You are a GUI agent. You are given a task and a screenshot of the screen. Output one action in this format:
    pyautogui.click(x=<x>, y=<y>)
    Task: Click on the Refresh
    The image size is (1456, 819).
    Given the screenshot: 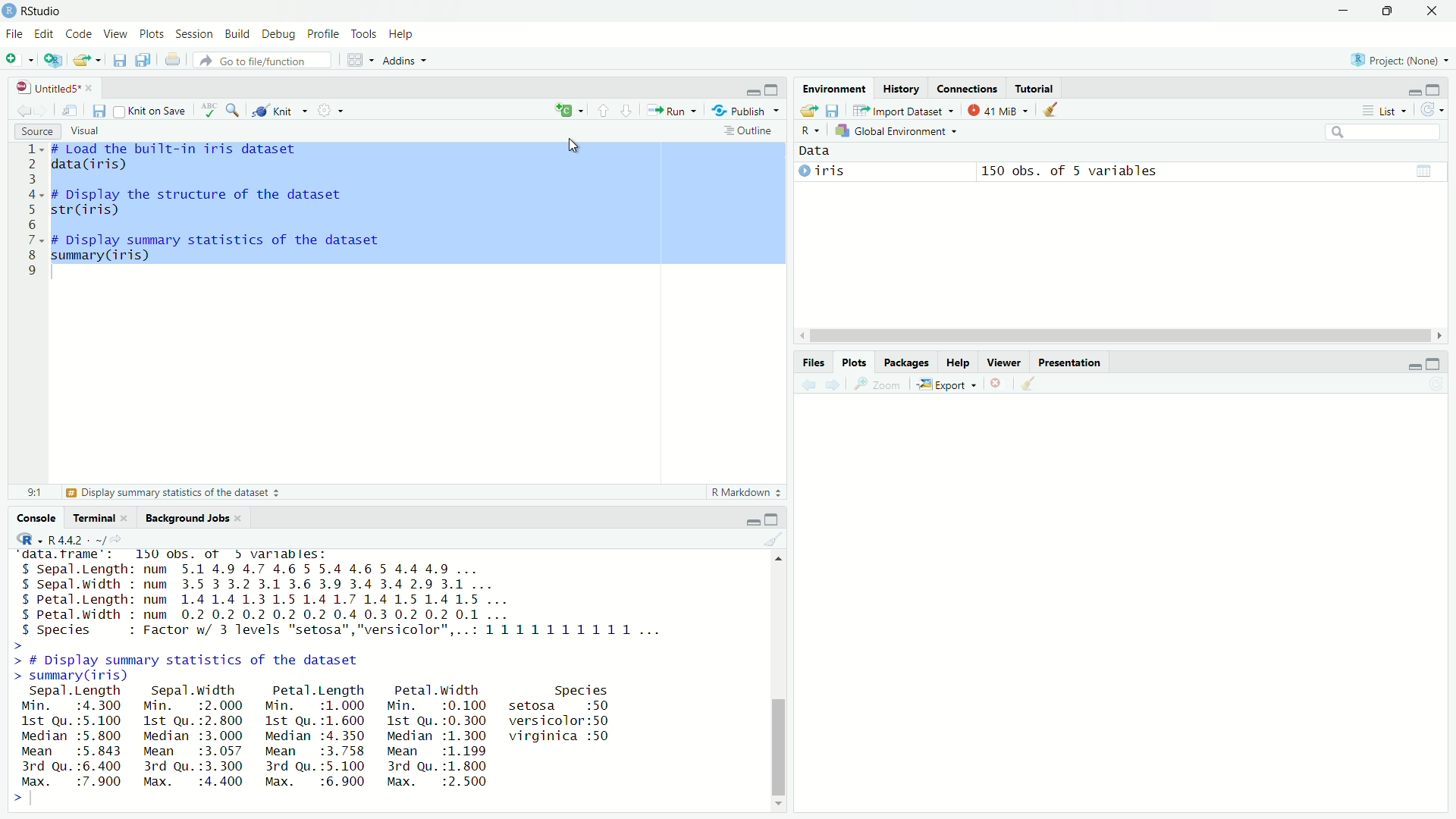 What is the action you would take?
    pyautogui.click(x=1431, y=110)
    